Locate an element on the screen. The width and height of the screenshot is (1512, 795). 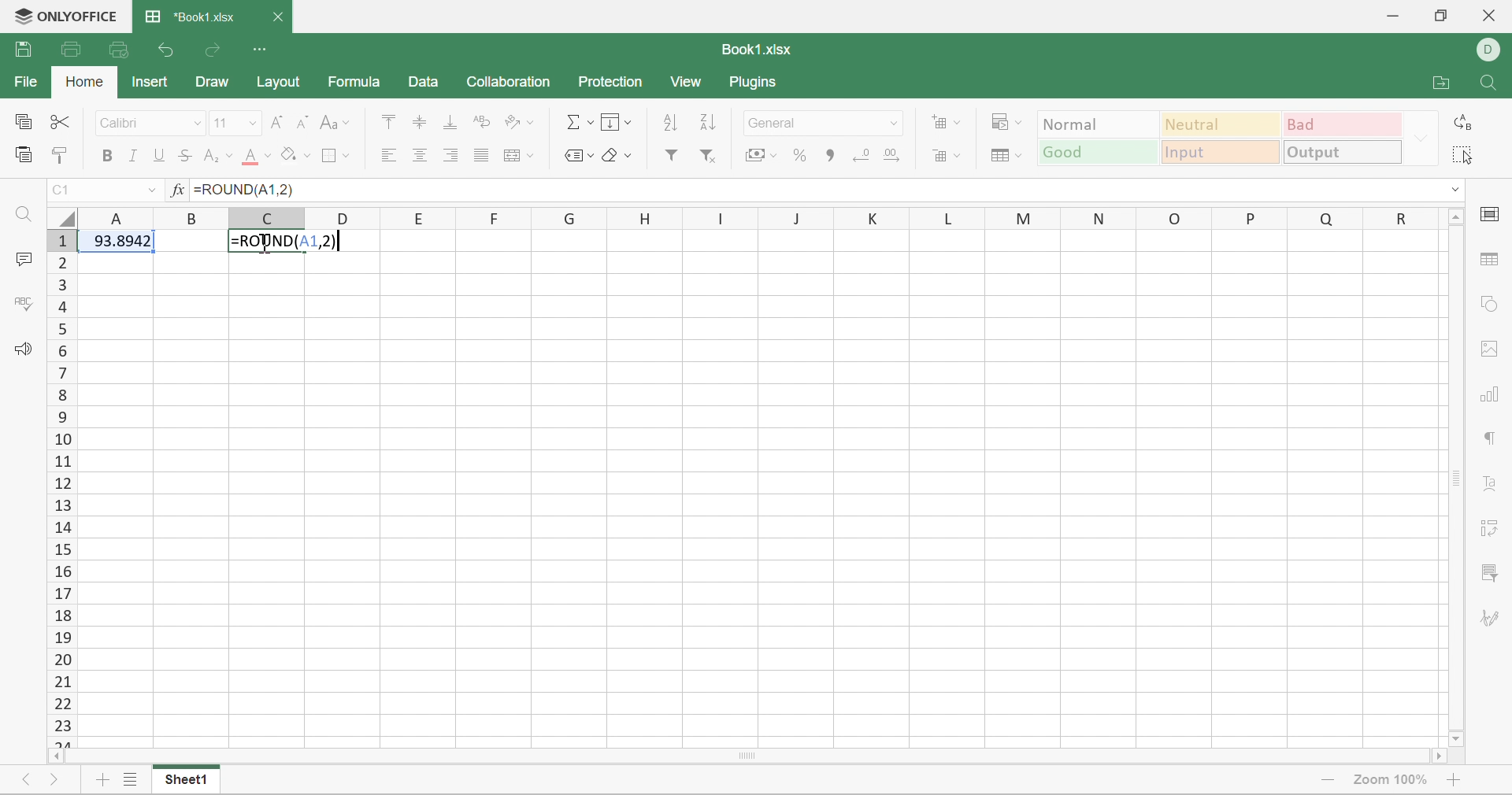
Align Top is located at coordinates (386, 120).